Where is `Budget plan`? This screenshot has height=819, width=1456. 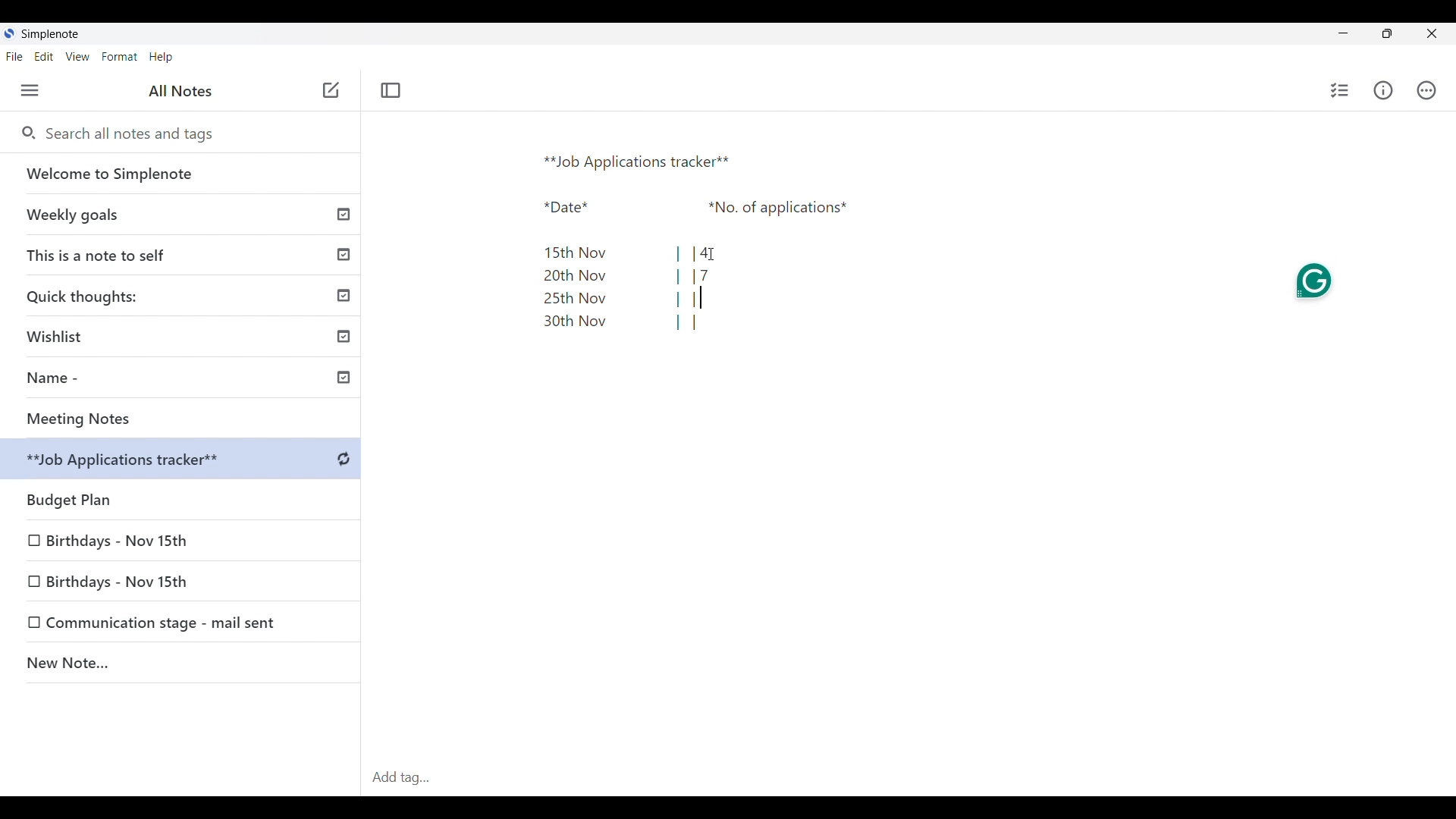
Budget plan is located at coordinates (182, 496).